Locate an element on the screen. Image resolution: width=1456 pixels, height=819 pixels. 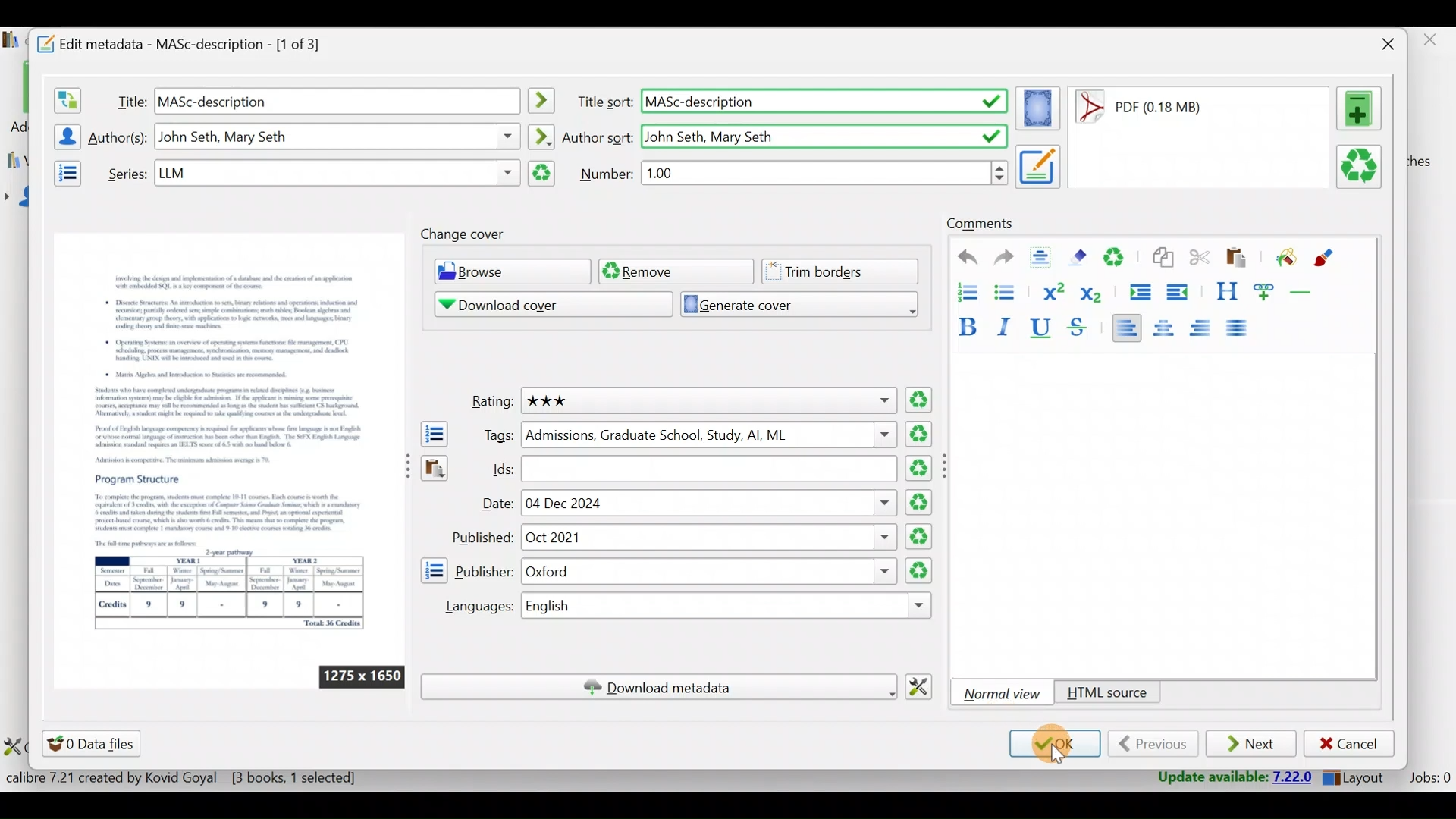
Align centre is located at coordinates (1170, 325).